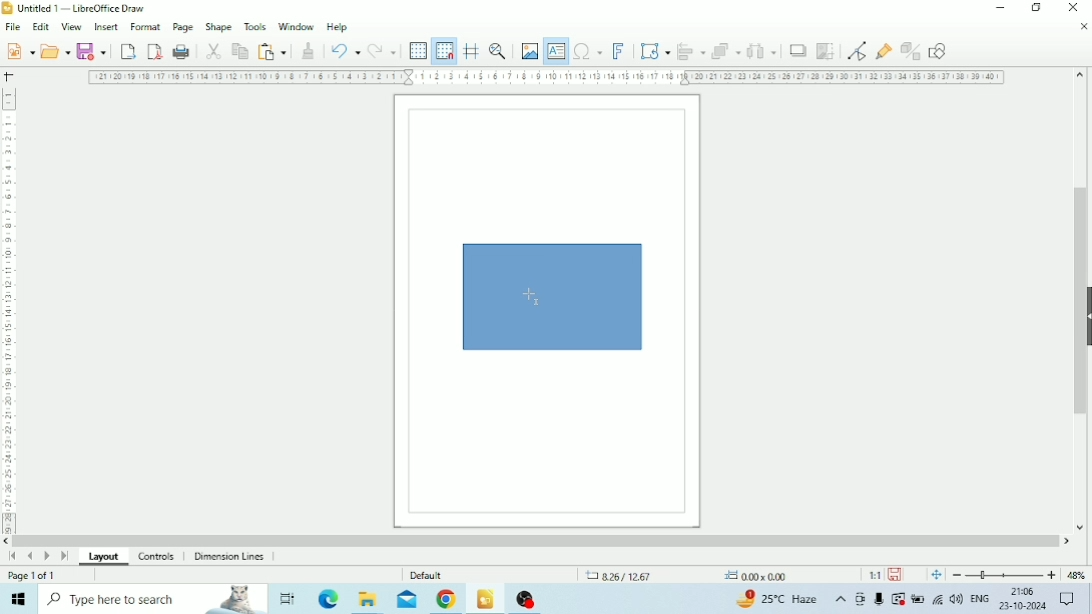 This screenshot has height=614, width=1092. What do you see at coordinates (1022, 591) in the screenshot?
I see `Time` at bounding box center [1022, 591].